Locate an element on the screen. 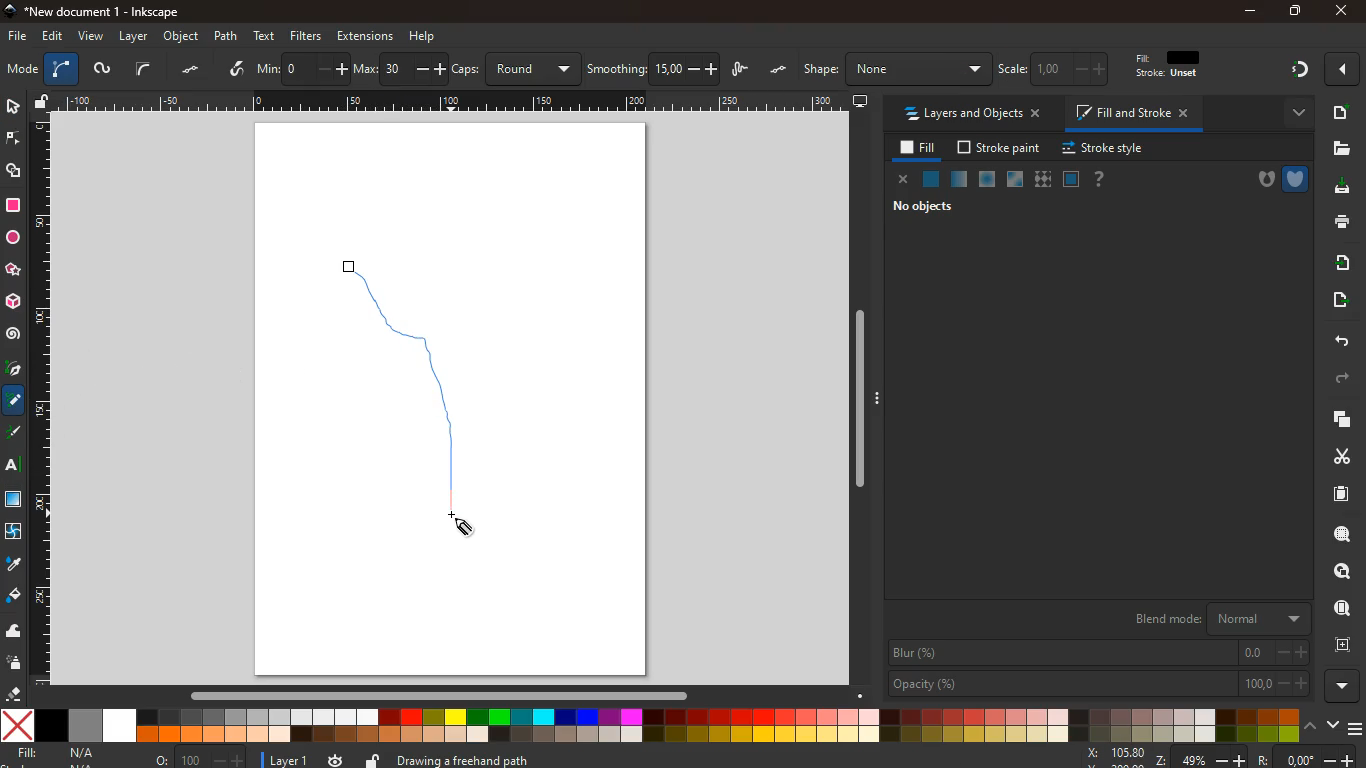  Text tool is located at coordinates (18, 465).